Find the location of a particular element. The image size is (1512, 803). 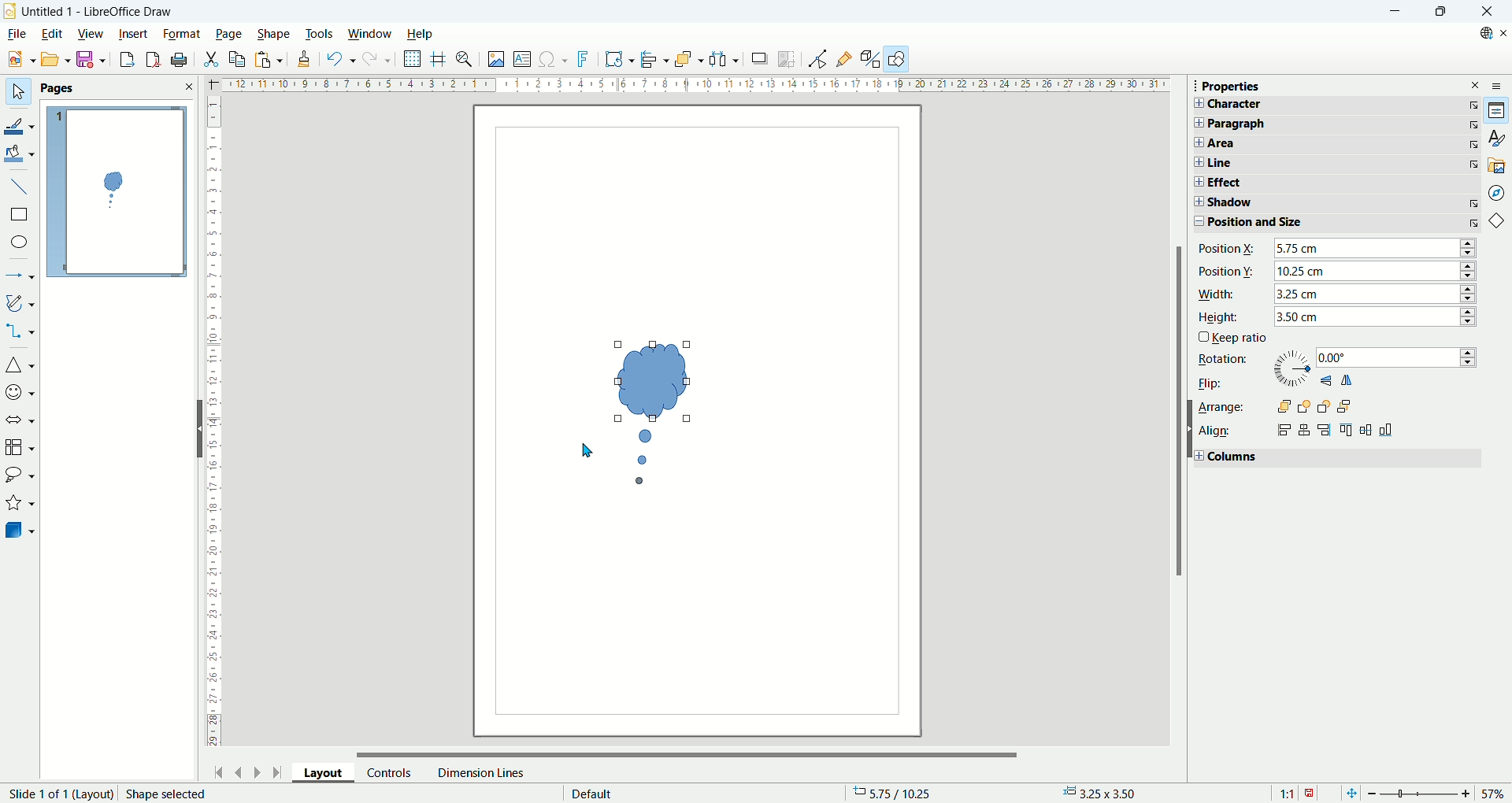

Expand is located at coordinates (1197, 455).